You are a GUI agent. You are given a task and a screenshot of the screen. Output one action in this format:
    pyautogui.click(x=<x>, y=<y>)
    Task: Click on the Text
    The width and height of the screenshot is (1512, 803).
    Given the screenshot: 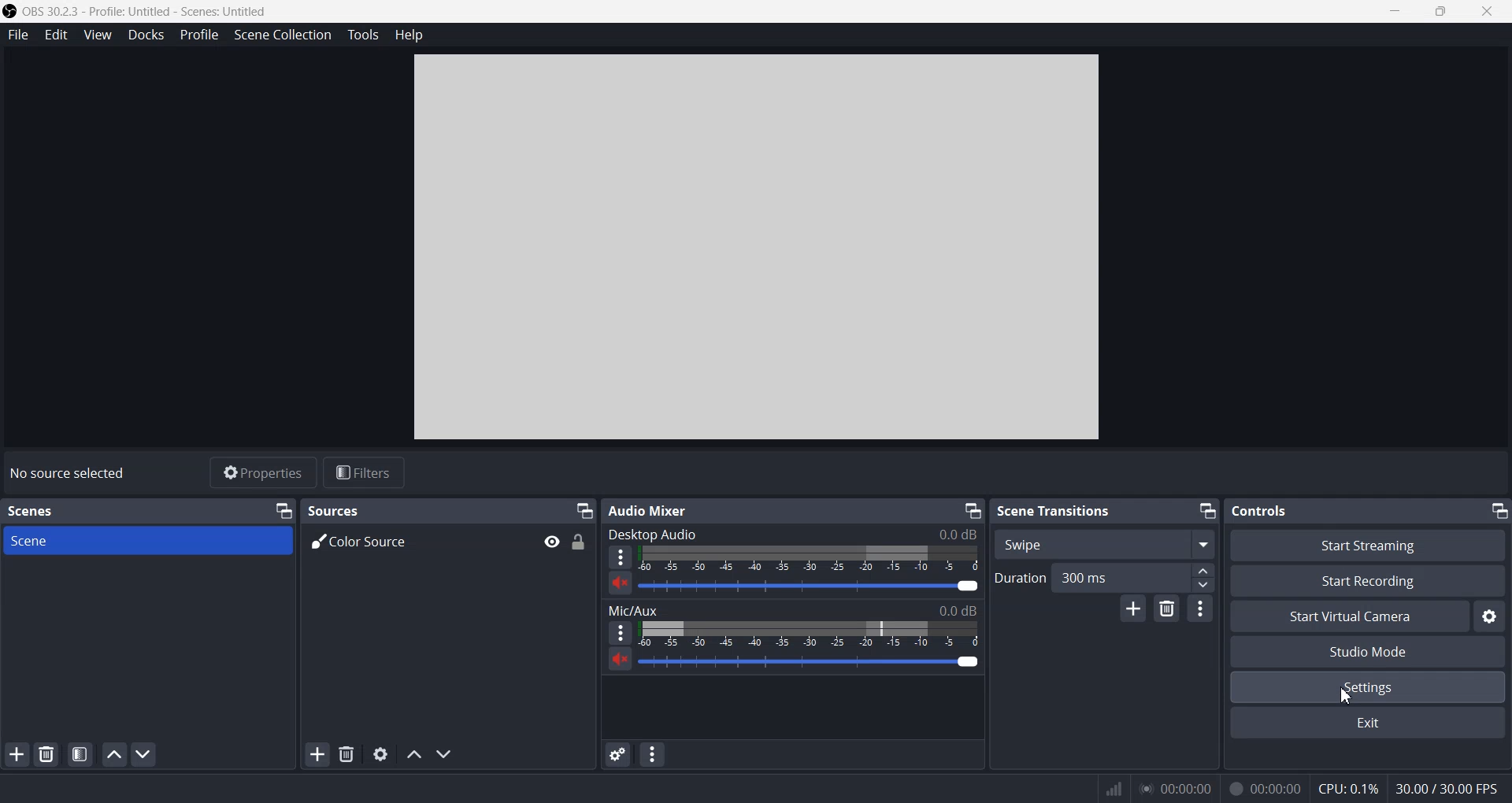 What is the action you would take?
    pyautogui.click(x=1260, y=511)
    